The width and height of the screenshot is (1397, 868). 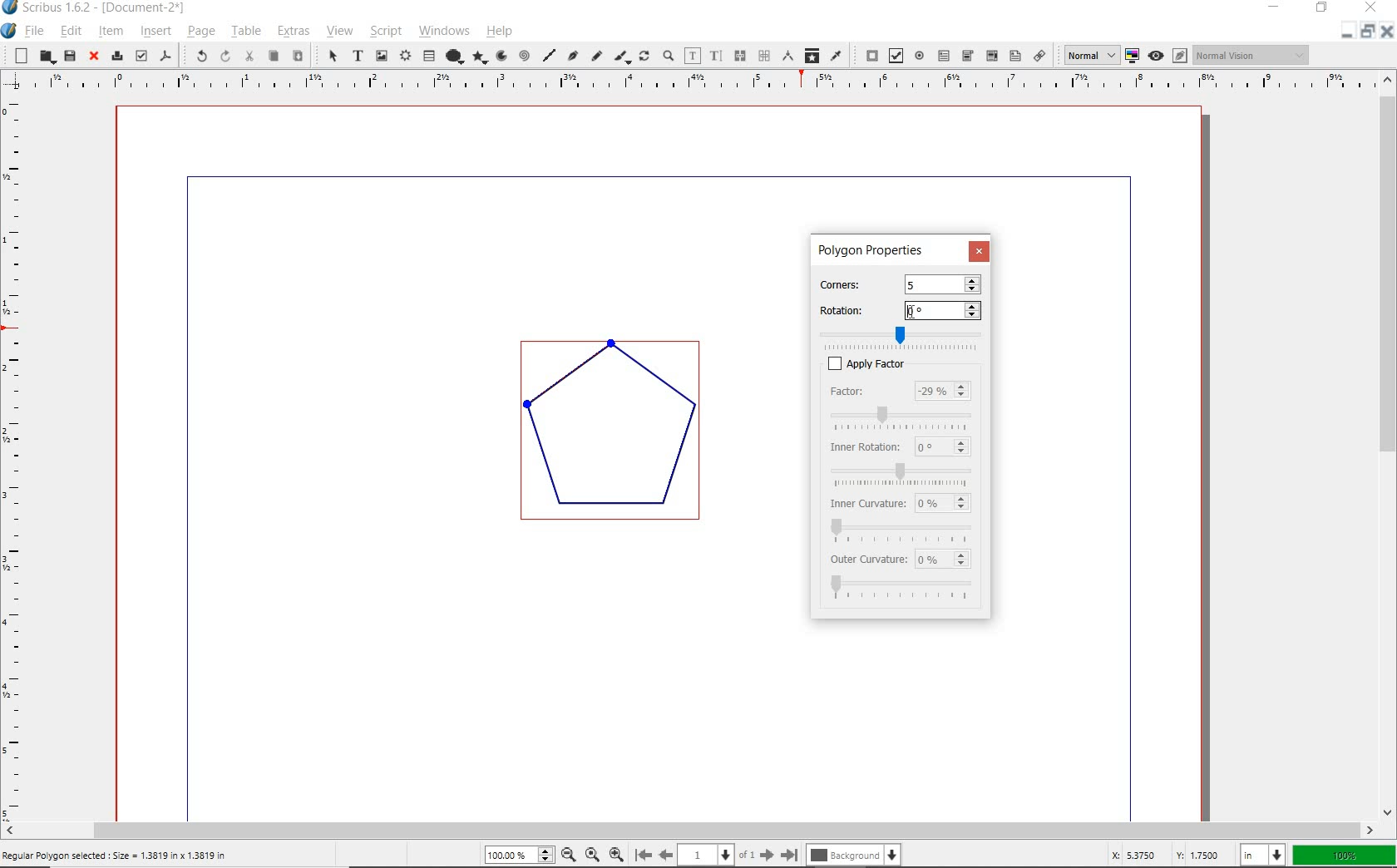 I want to click on windows, so click(x=445, y=32).